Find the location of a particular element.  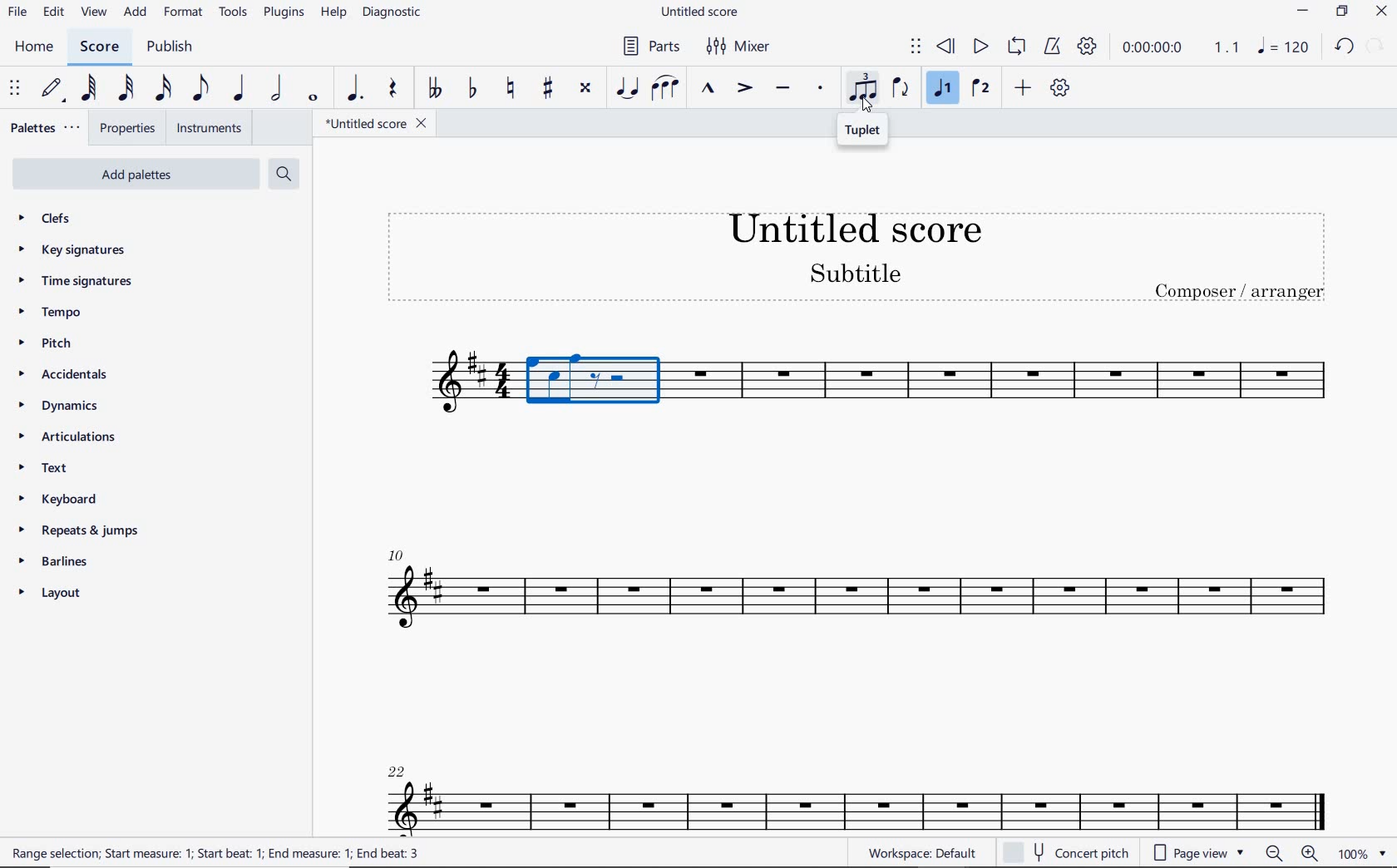

TEMPO is located at coordinates (77, 313).